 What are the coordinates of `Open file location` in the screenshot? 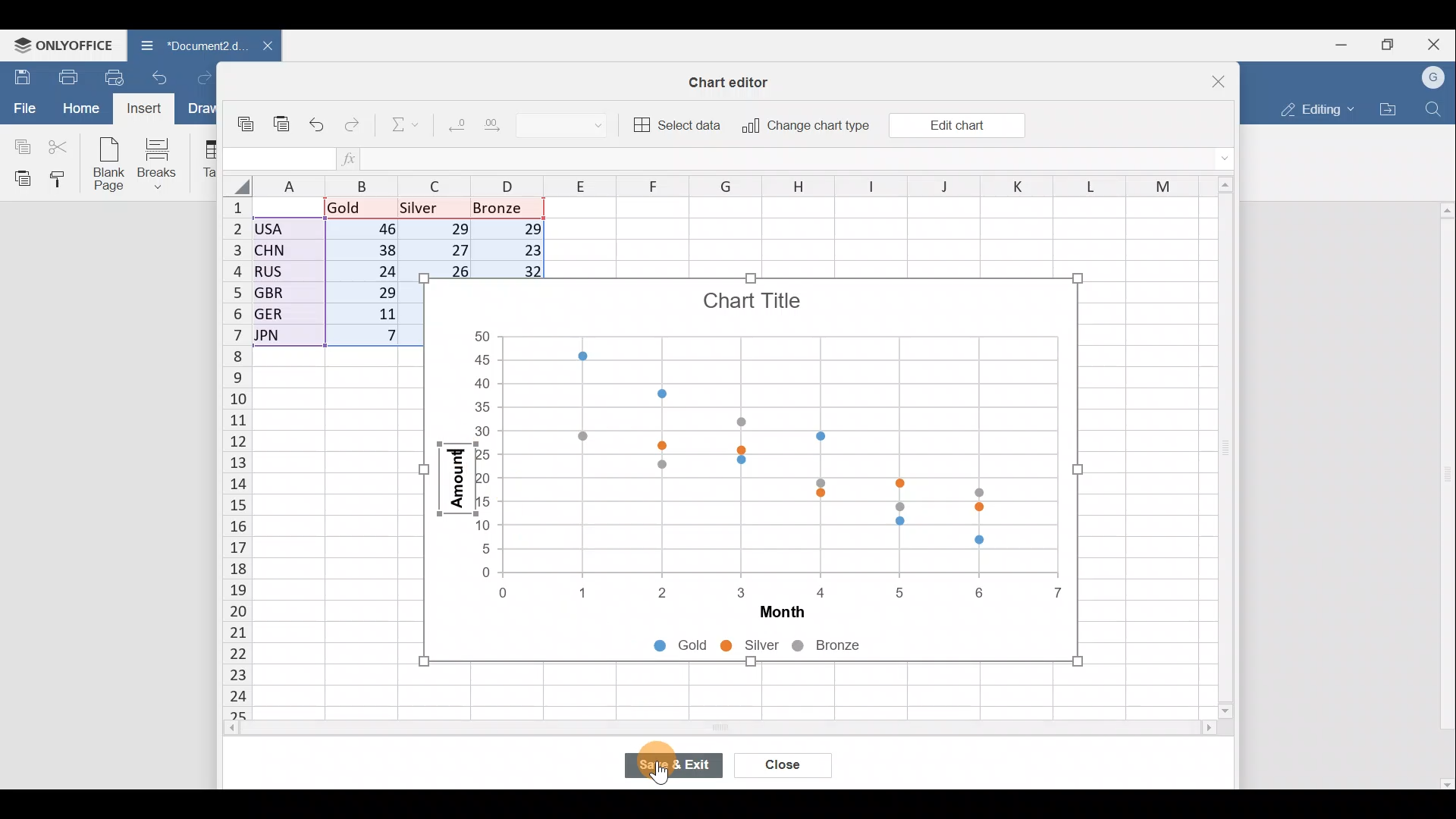 It's located at (1388, 108).